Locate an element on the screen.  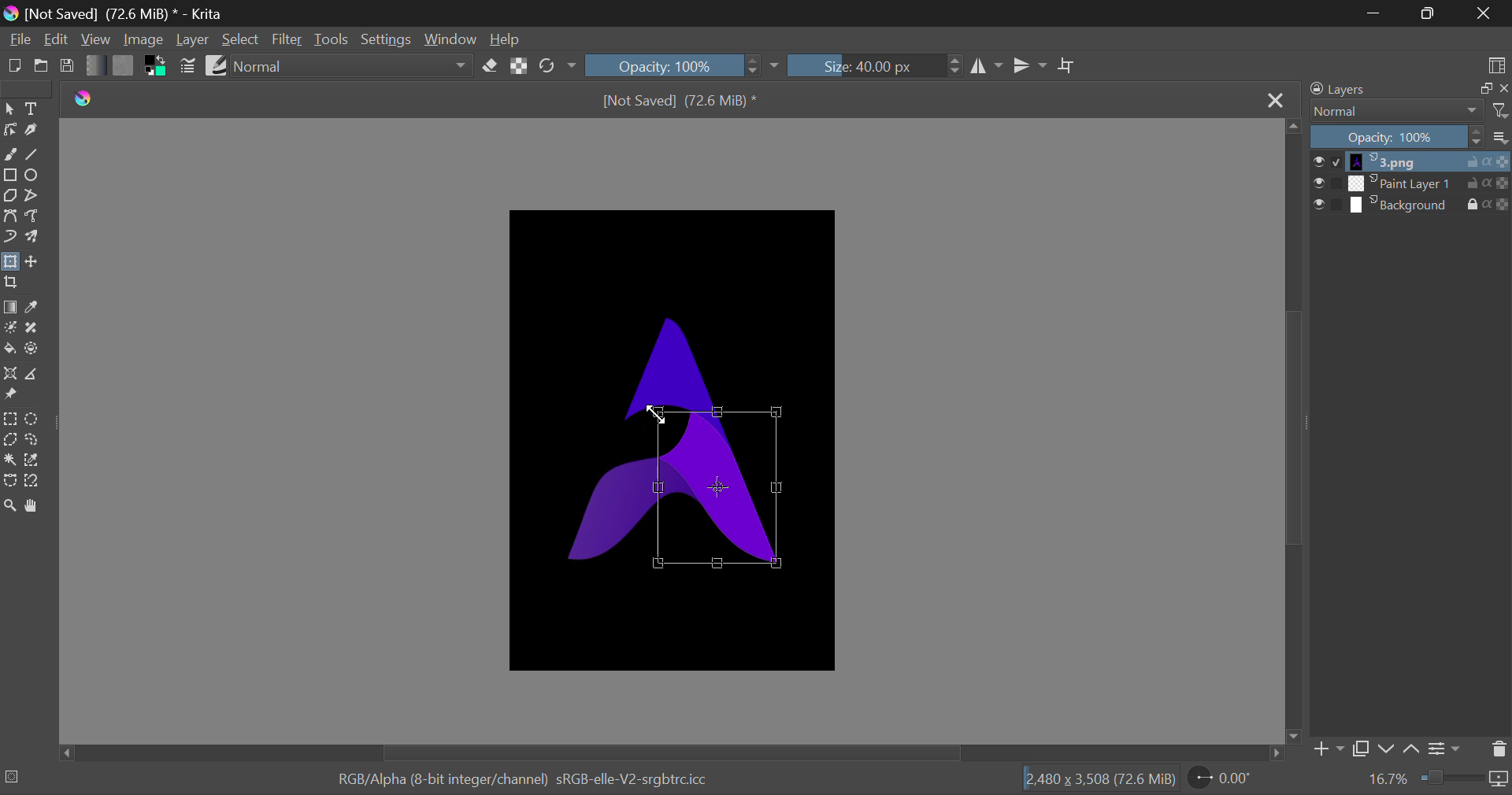
actions is located at coordinates (1489, 183).